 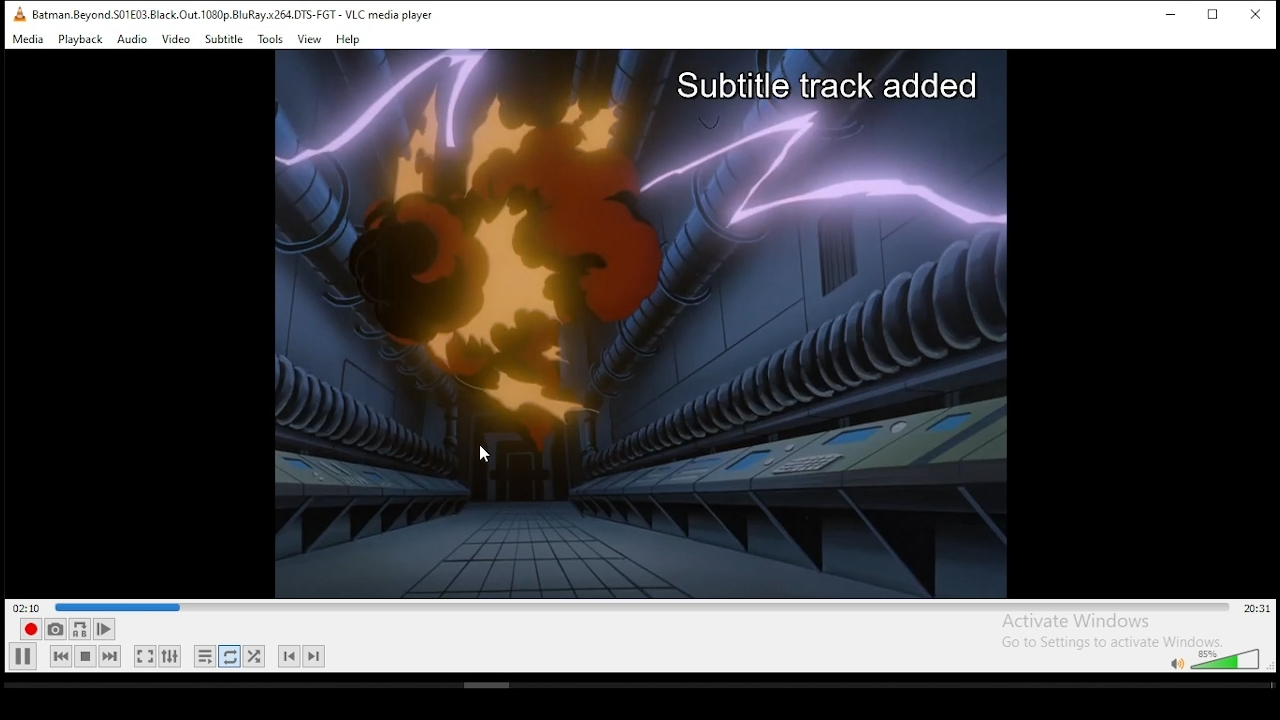 What do you see at coordinates (271, 40) in the screenshot?
I see `tools` at bounding box center [271, 40].